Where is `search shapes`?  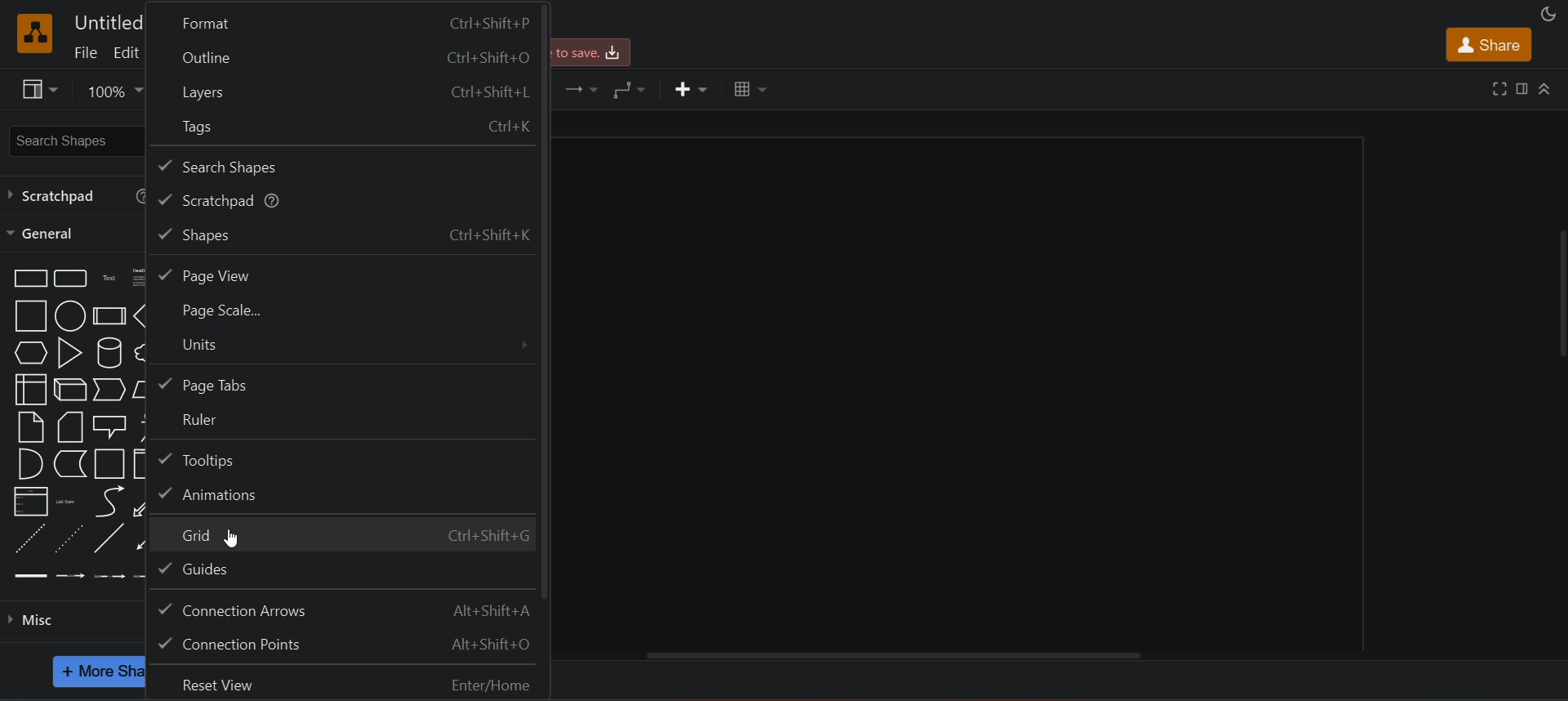 search shapes is located at coordinates (54, 139).